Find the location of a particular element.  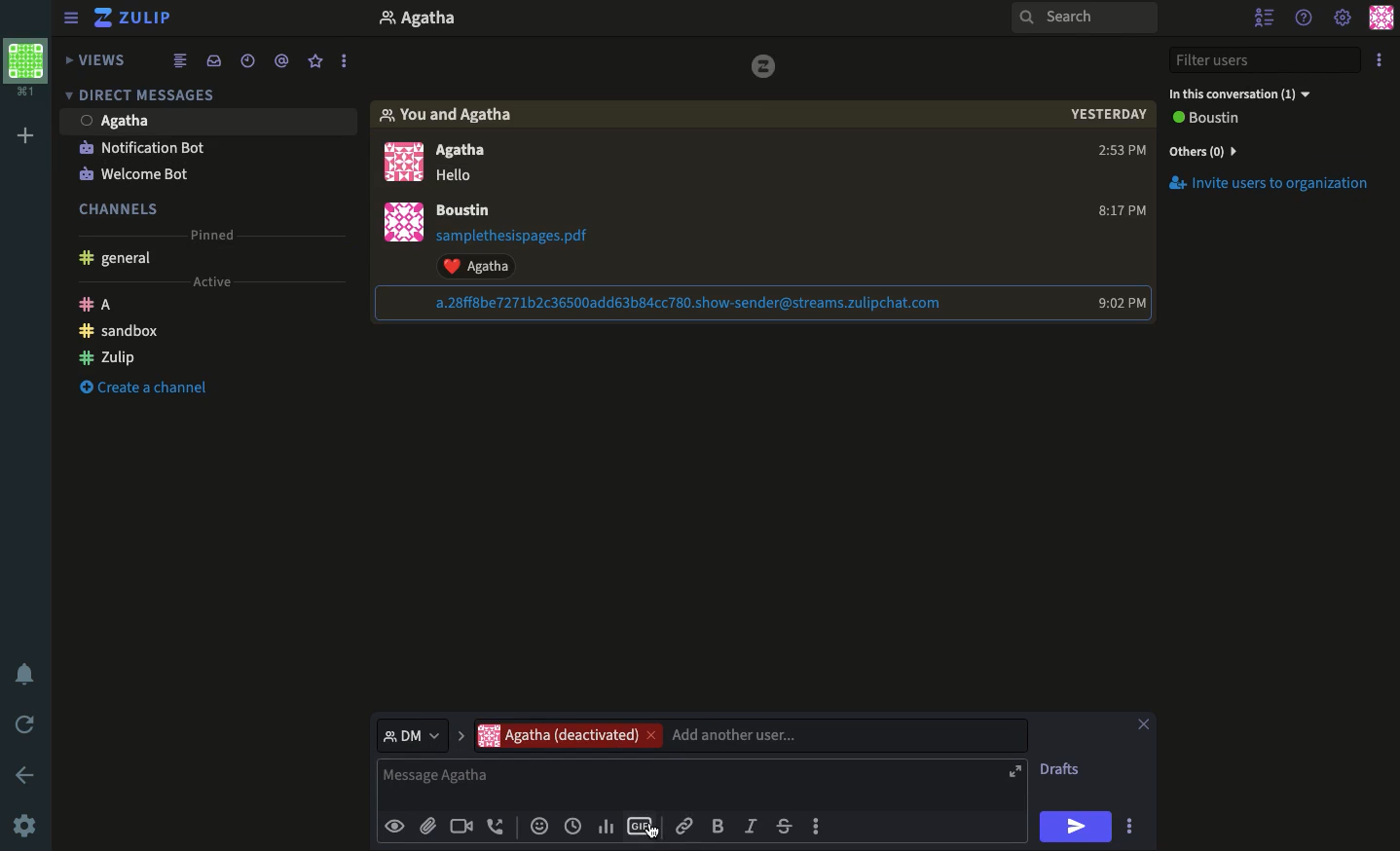

Options is located at coordinates (1379, 61).